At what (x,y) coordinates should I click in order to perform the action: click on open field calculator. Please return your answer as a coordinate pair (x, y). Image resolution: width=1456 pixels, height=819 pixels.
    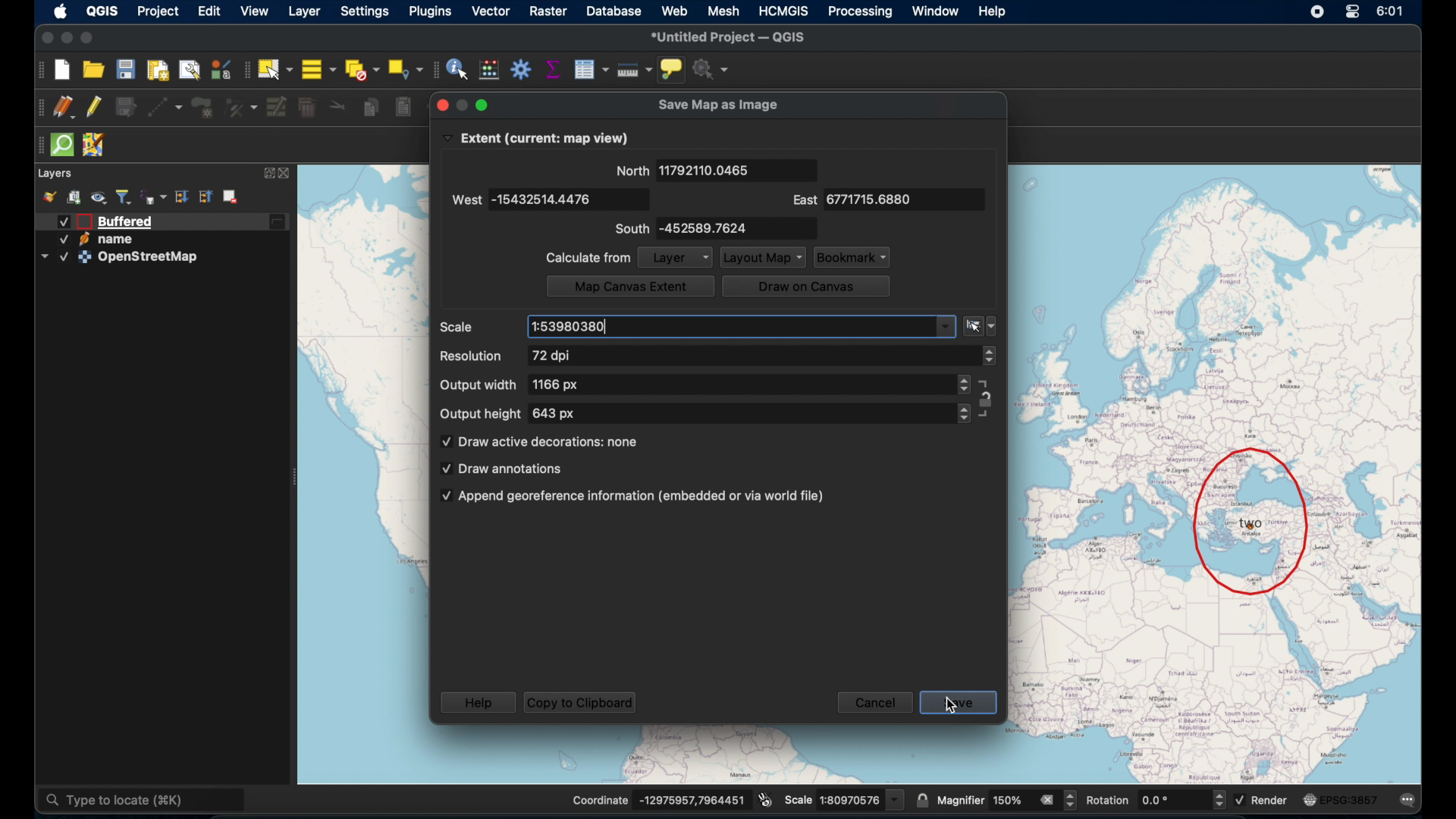
    Looking at the image, I should click on (491, 69).